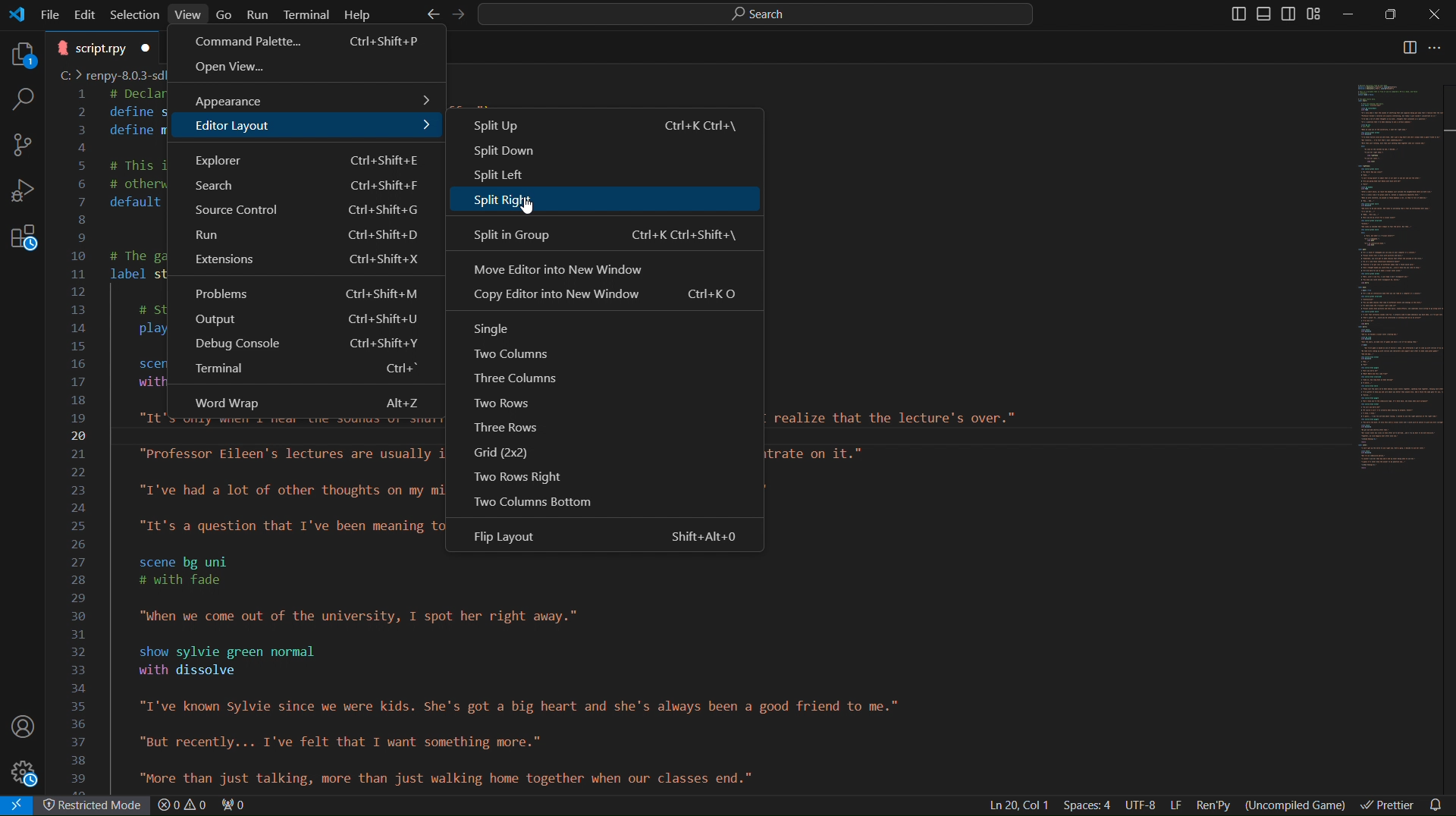 This screenshot has height=816, width=1456. What do you see at coordinates (20, 99) in the screenshot?
I see `Search` at bounding box center [20, 99].